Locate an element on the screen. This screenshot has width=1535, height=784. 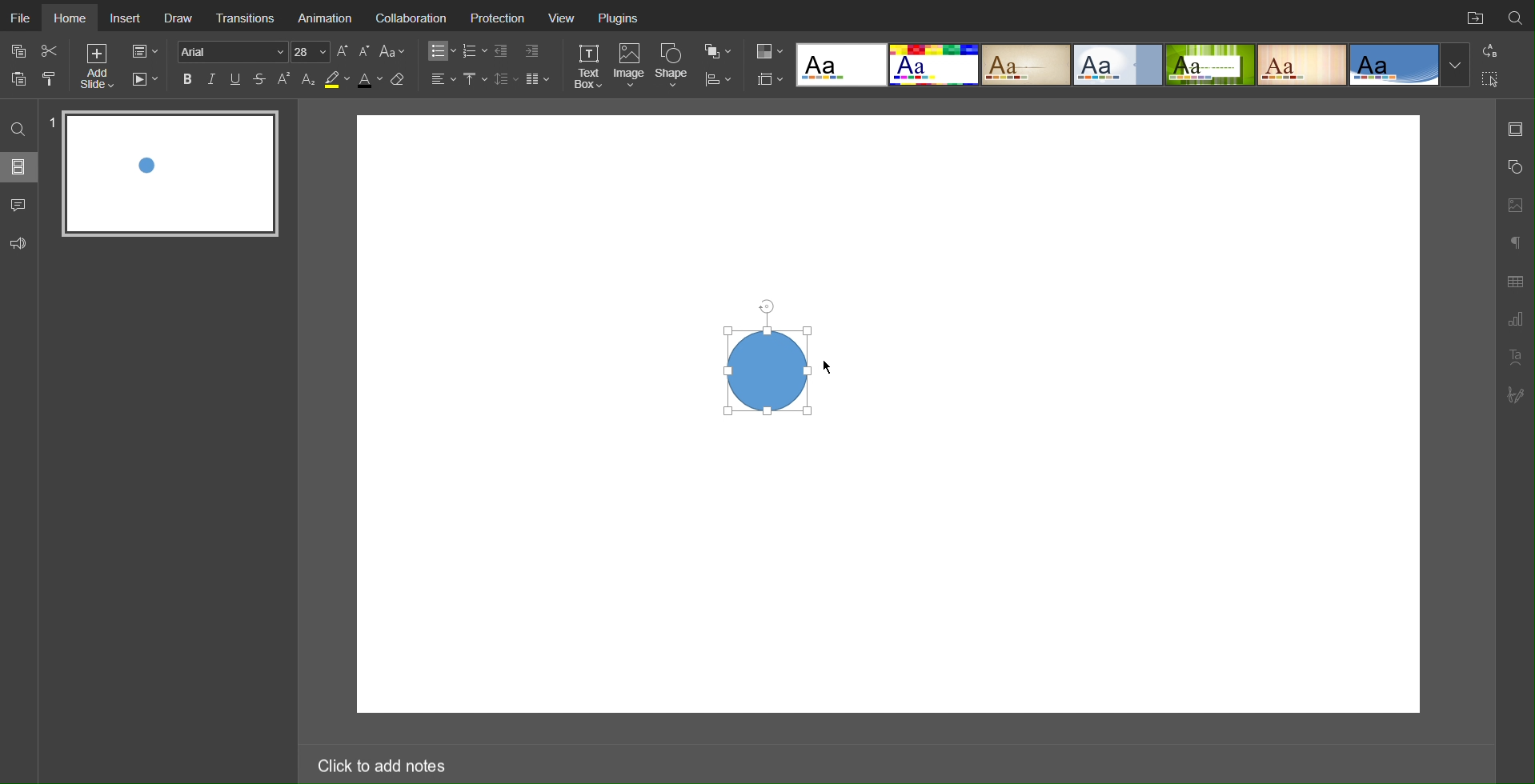
Columns is located at coordinates (539, 78).